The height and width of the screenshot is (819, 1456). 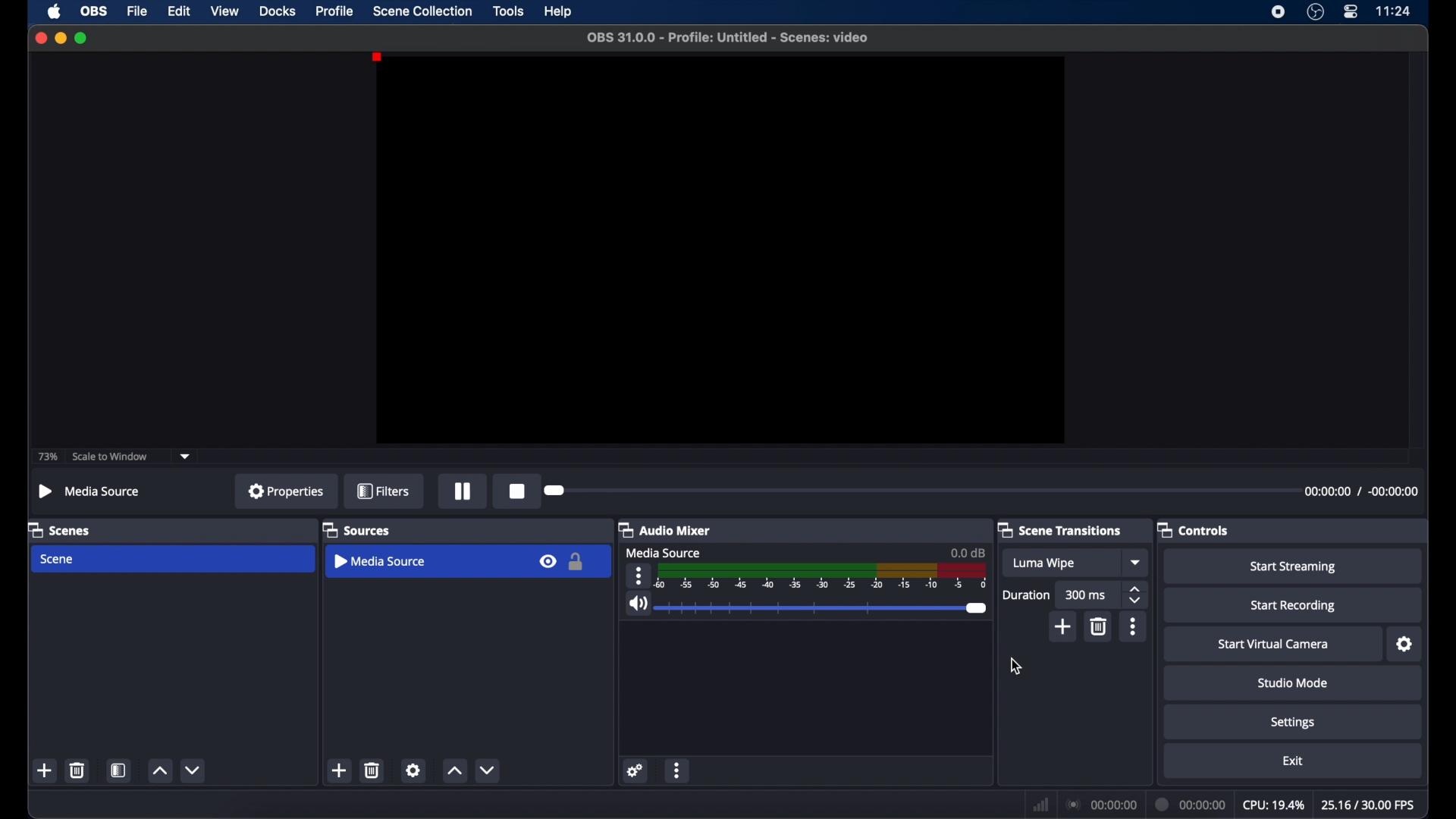 I want to click on no source selected, so click(x=89, y=491).